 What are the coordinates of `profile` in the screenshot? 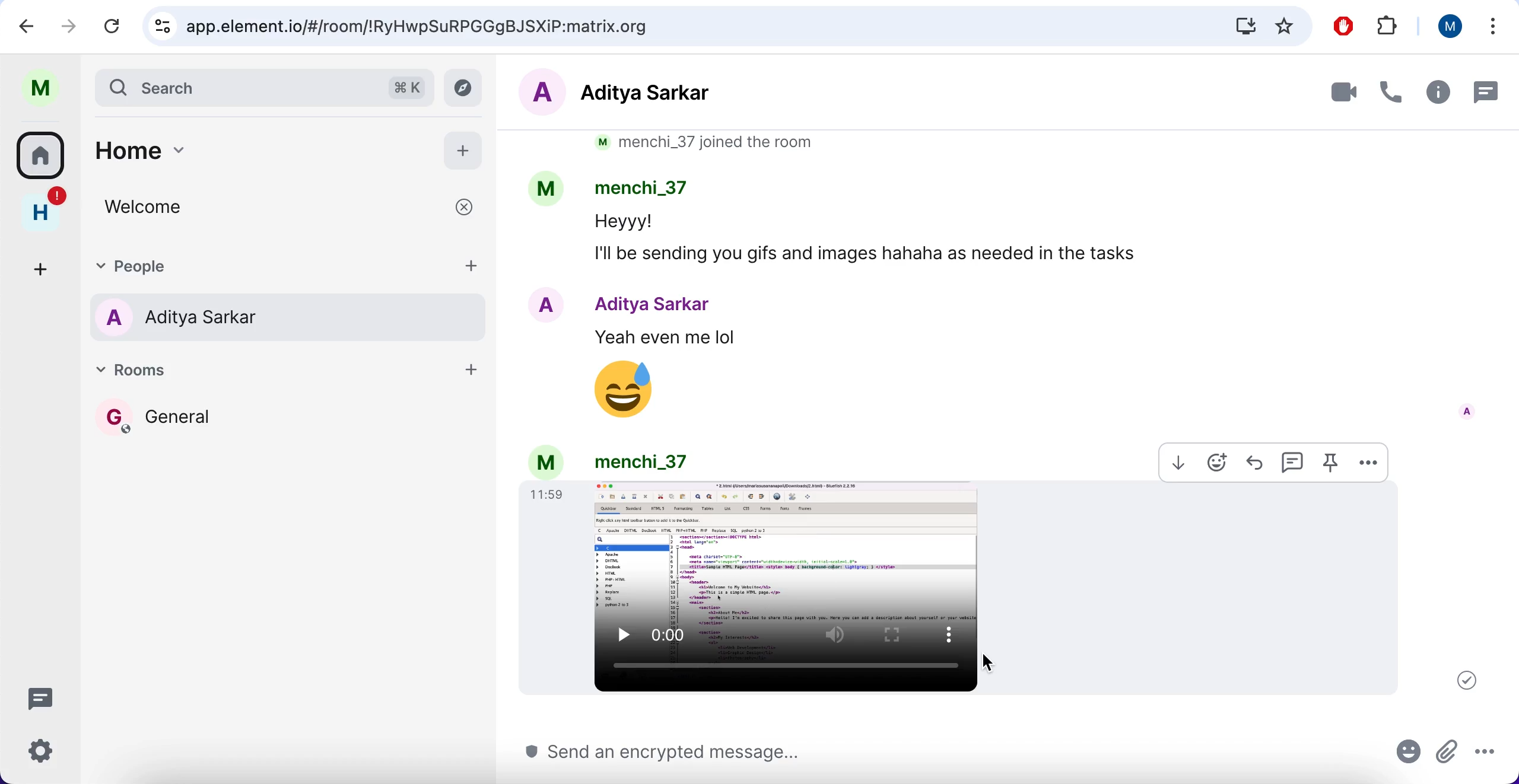 It's located at (45, 85).